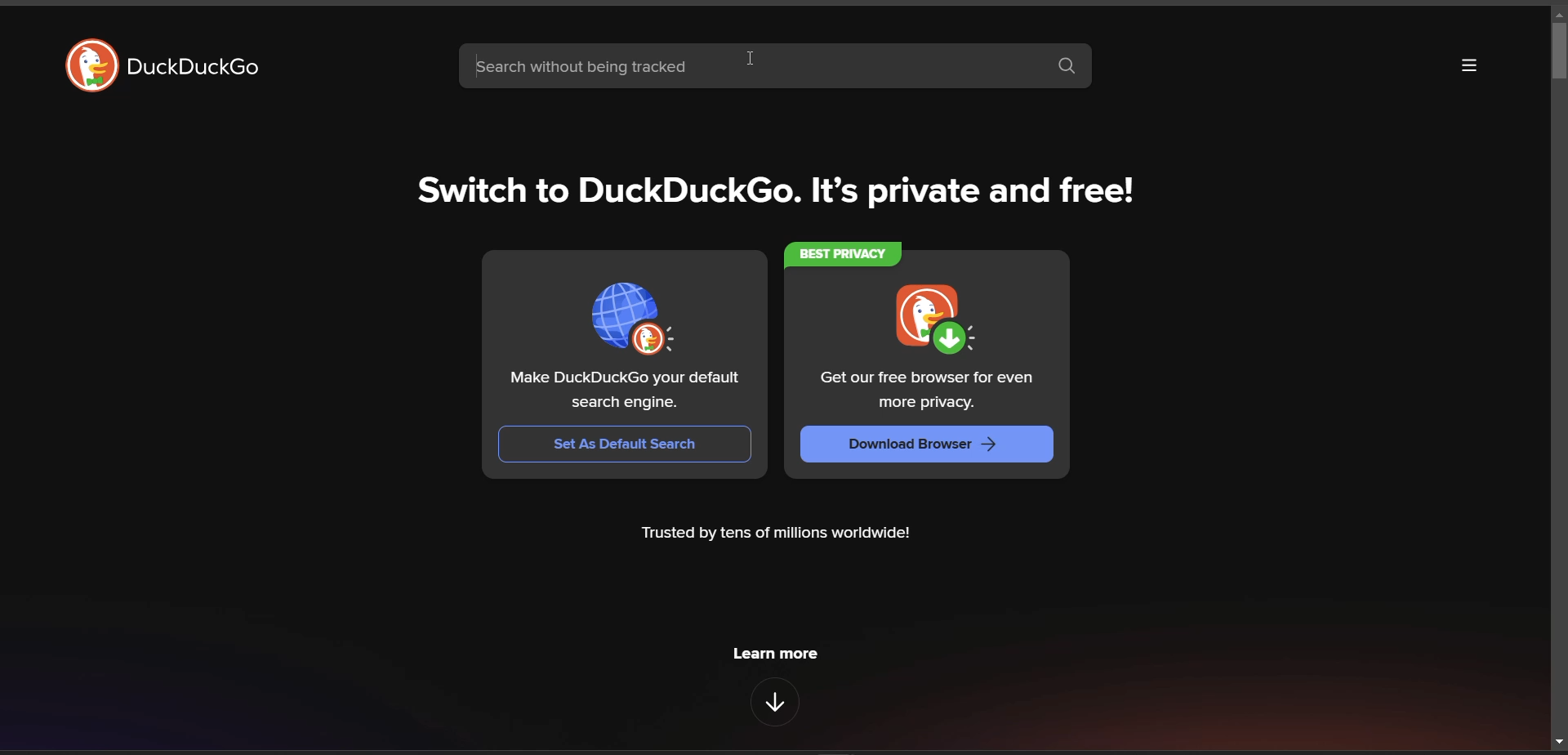 This screenshot has height=755, width=1568. Describe the element at coordinates (781, 193) in the screenshot. I see `Switch to DuckDuckGo. It’s private and free!` at that location.